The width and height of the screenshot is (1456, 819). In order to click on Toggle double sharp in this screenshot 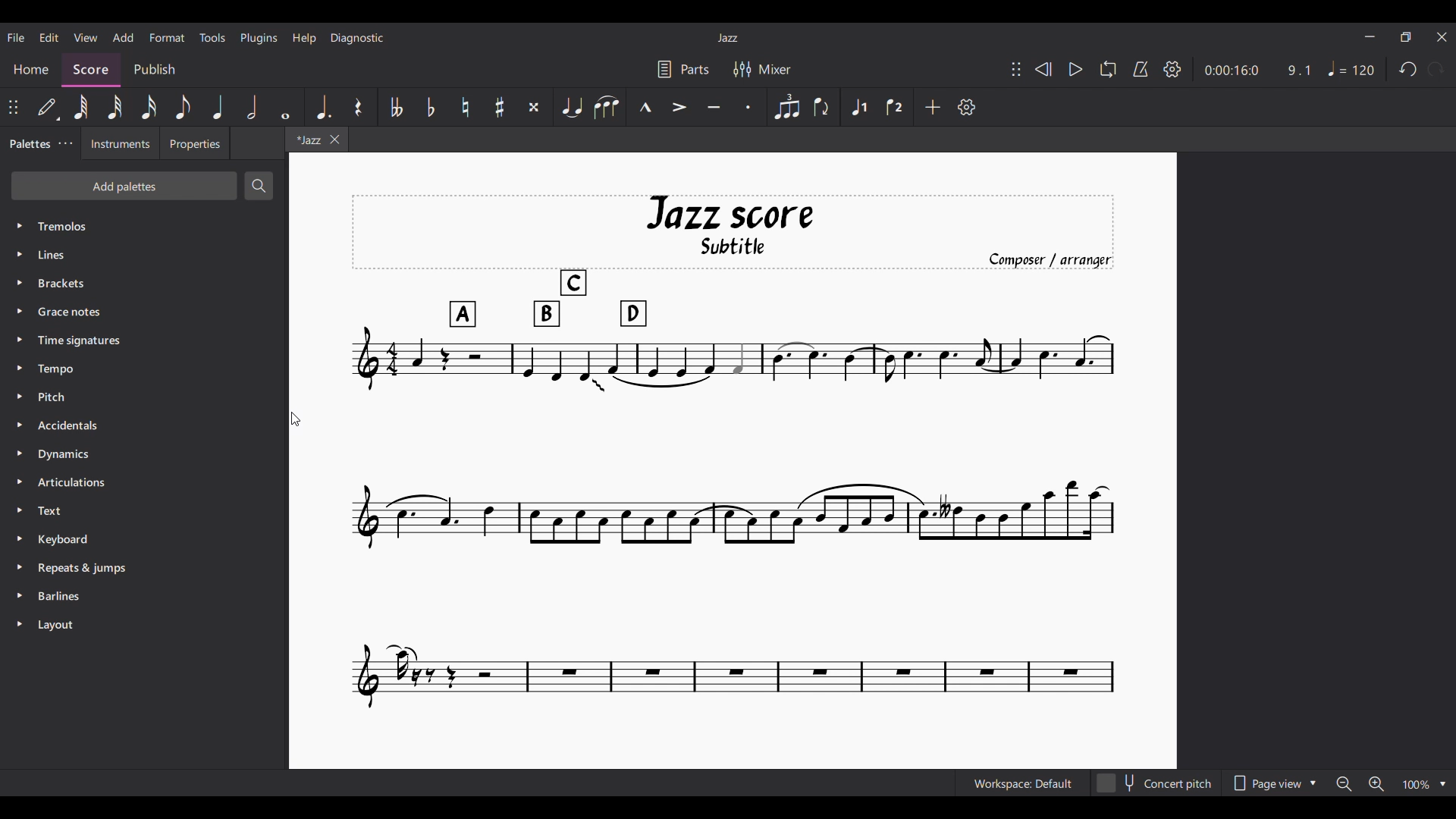, I will do `click(535, 108)`.